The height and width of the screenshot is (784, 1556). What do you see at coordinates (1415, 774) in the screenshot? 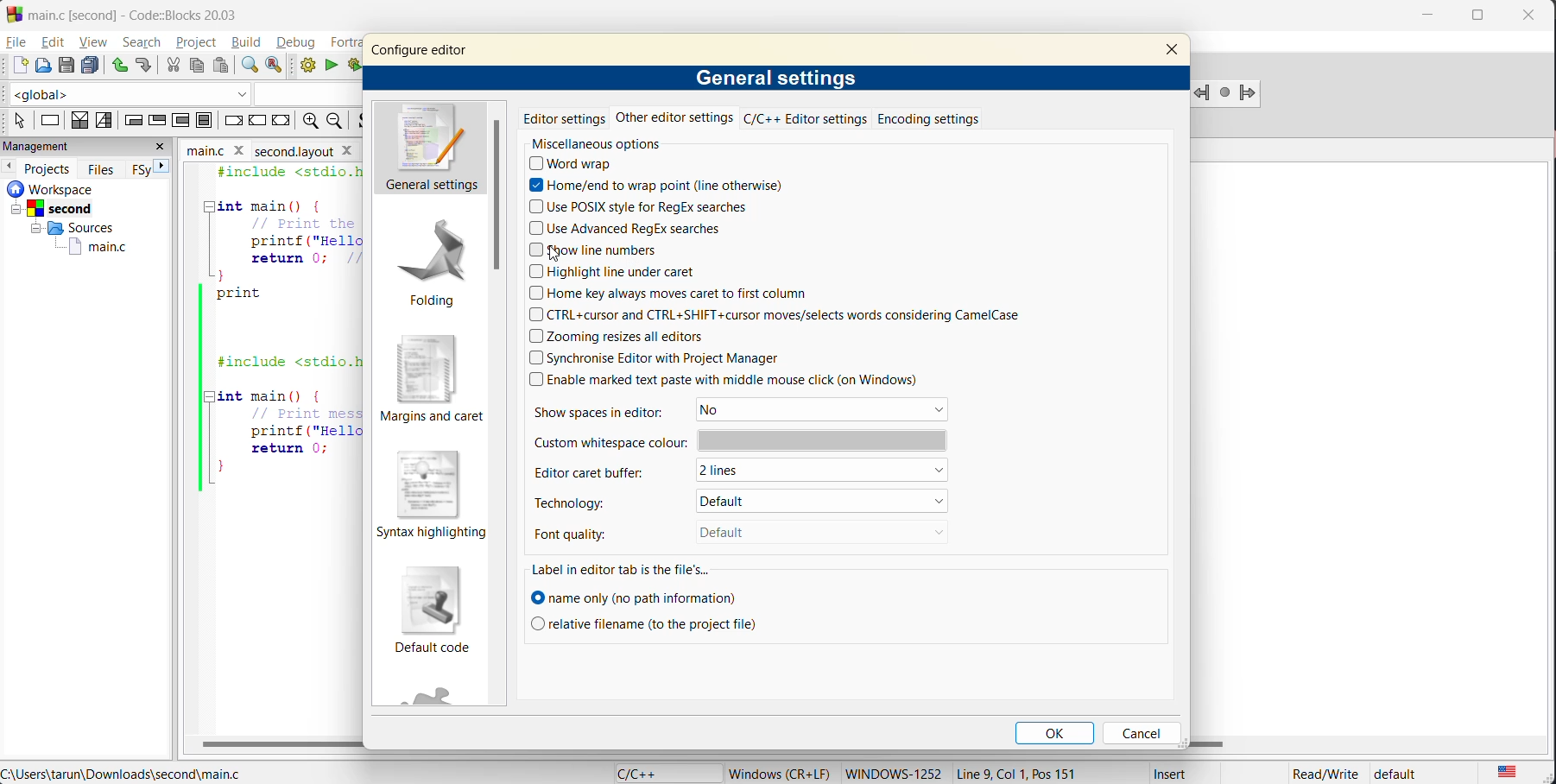
I see `default` at bounding box center [1415, 774].